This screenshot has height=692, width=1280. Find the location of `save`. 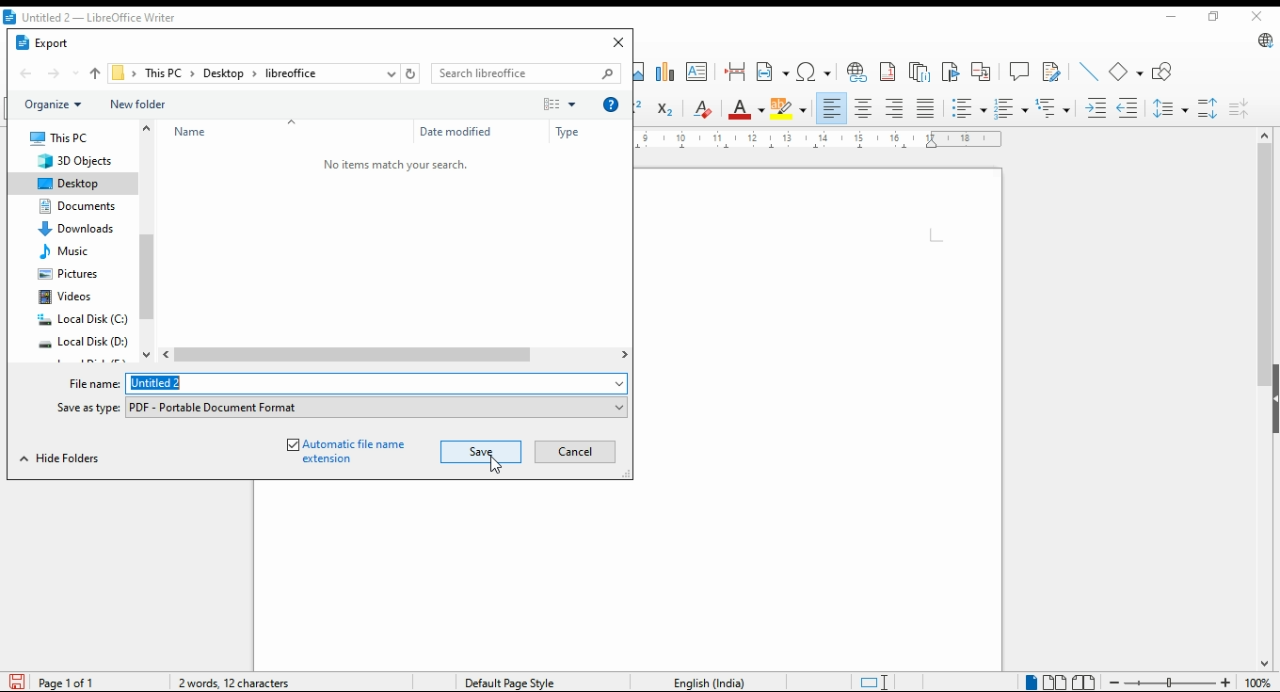

save is located at coordinates (483, 451).